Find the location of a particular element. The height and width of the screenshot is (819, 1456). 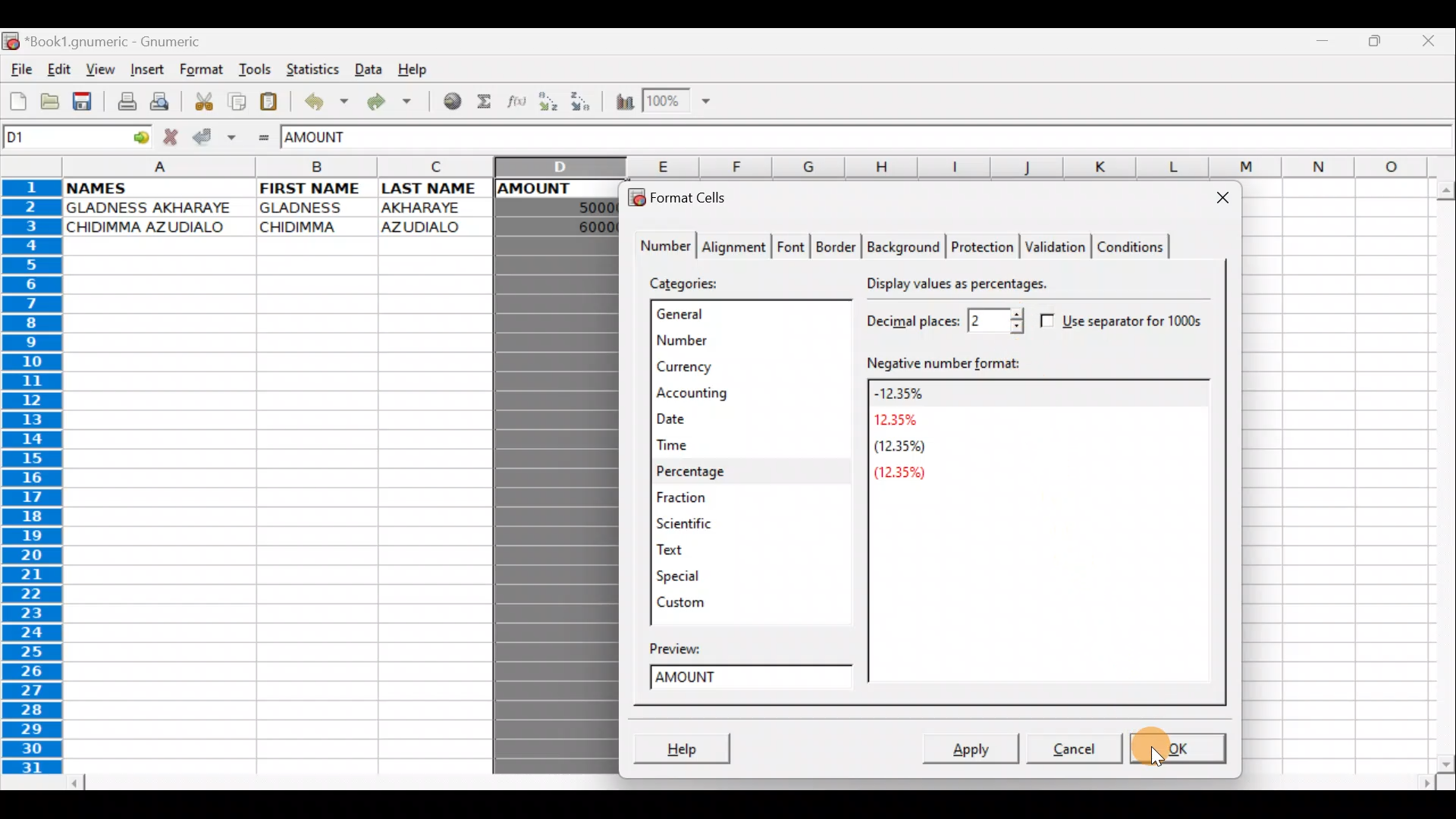

Scroll bar is located at coordinates (1439, 472).